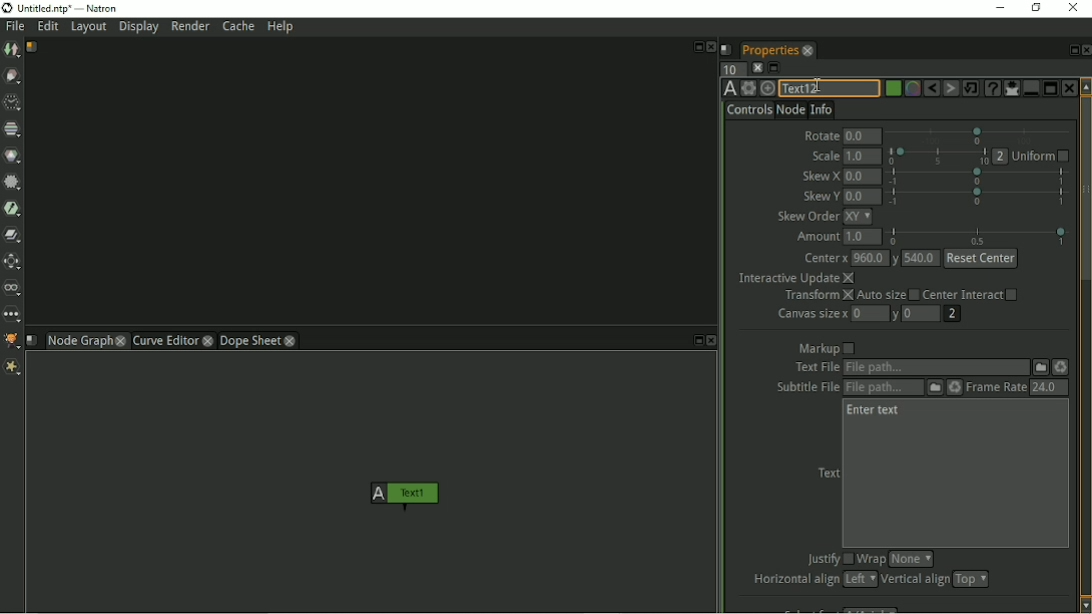 The height and width of the screenshot is (614, 1092). Describe the element at coordinates (14, 262) in the screenshot. I see `Transform` at that location.